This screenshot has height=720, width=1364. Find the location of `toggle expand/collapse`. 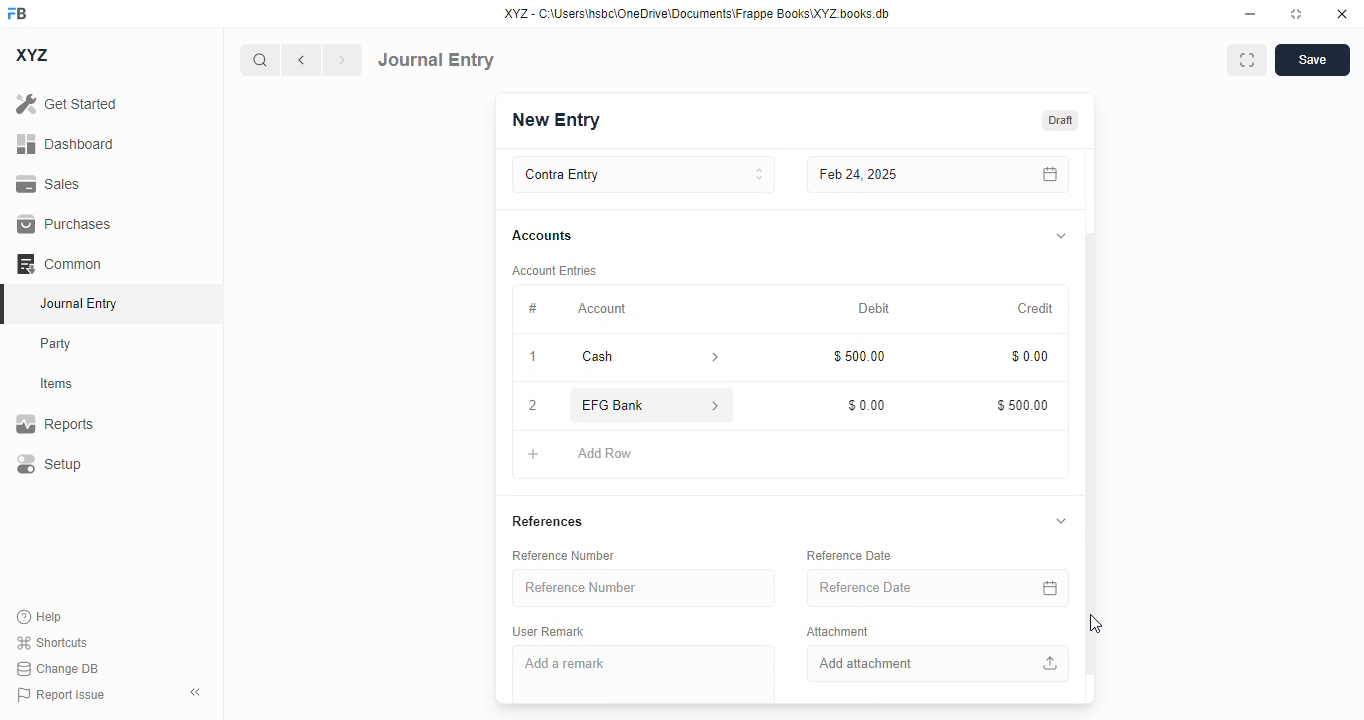

toggle expand/collapse is located at coordinates (1062, 522).